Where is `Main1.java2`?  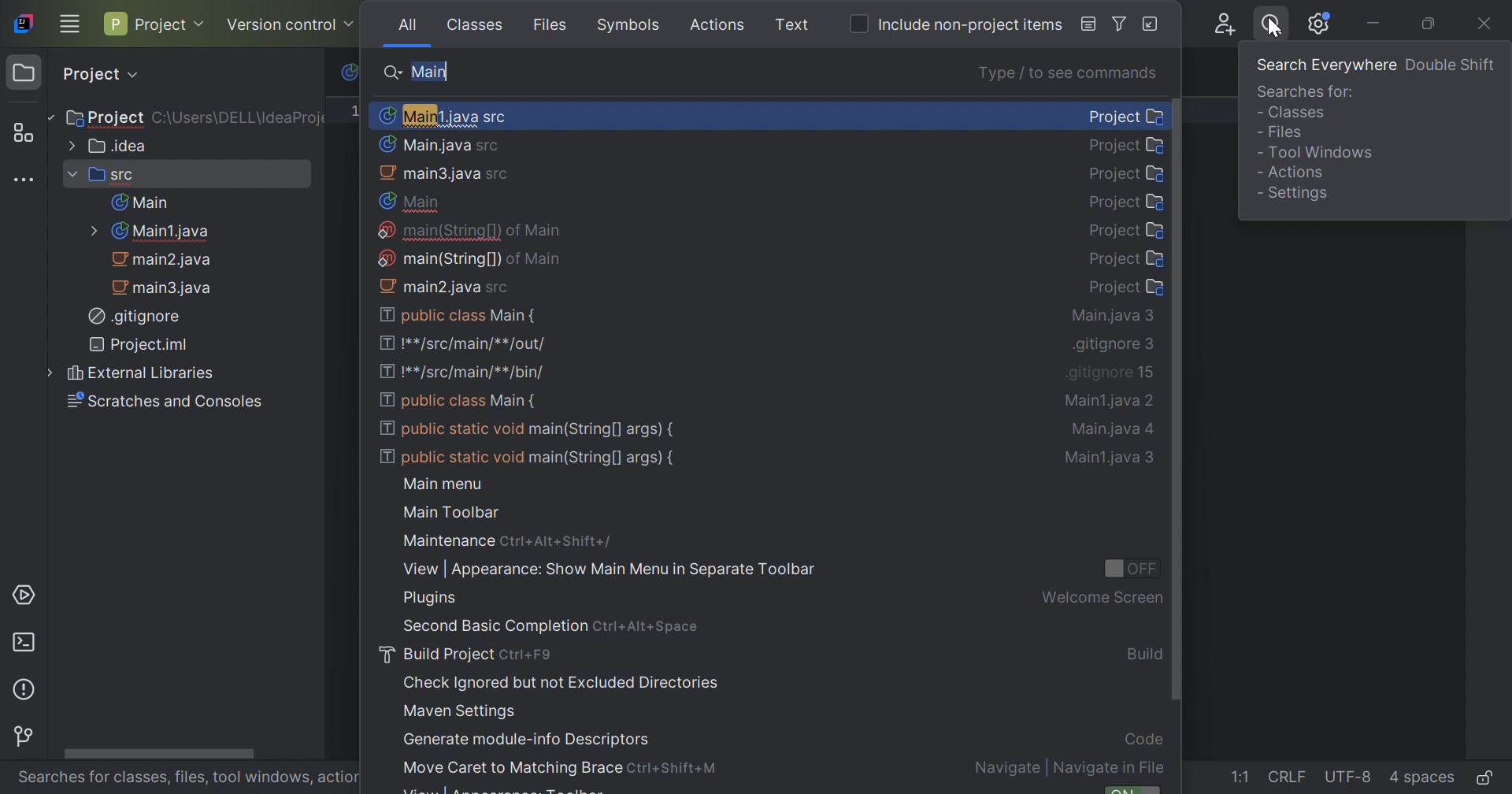
Main1.java2 is located at coordinates (1111, 400).